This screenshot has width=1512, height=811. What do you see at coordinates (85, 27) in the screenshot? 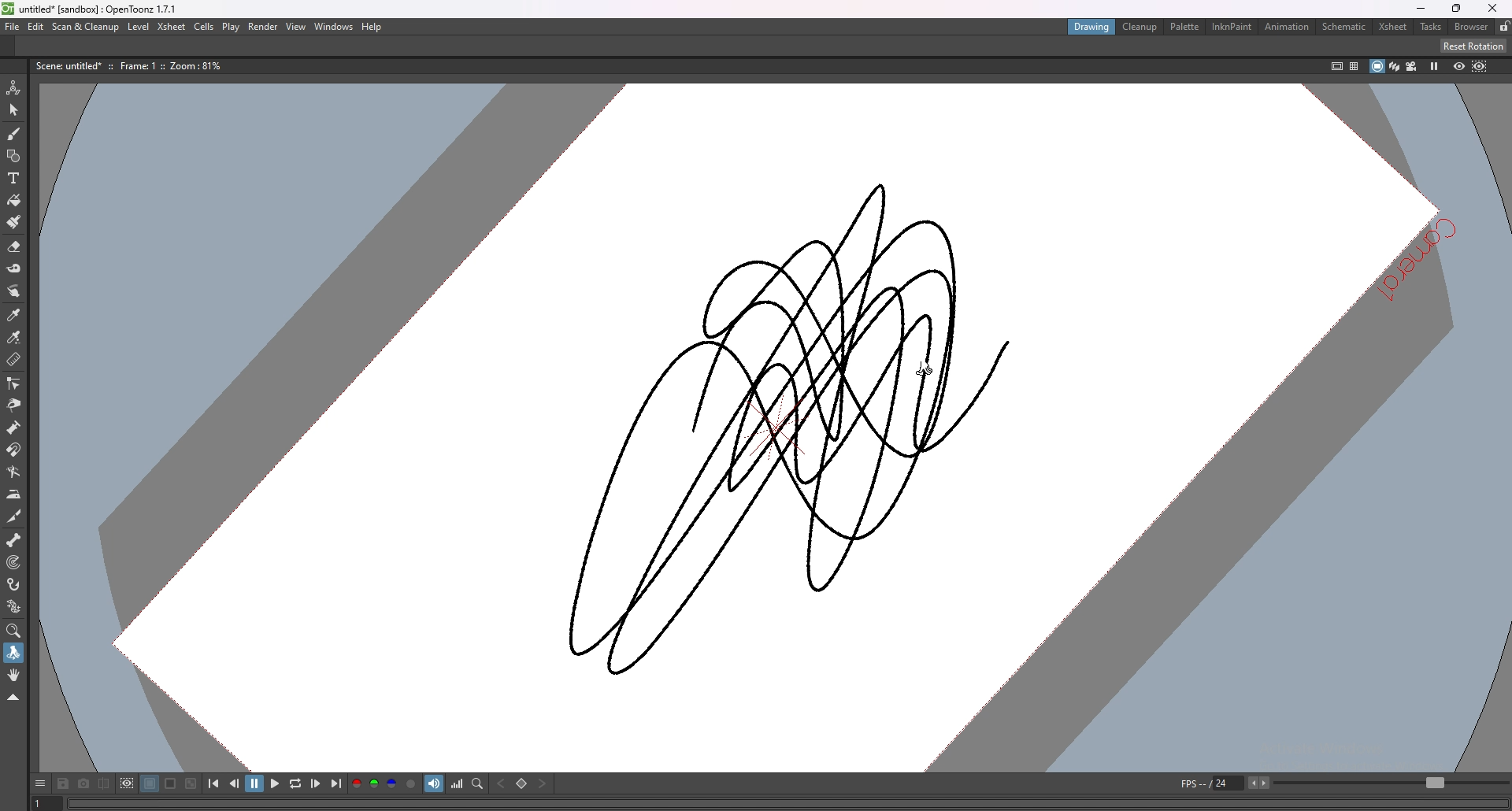
I see `scan and cleanup` at bounding box center [85, 27].